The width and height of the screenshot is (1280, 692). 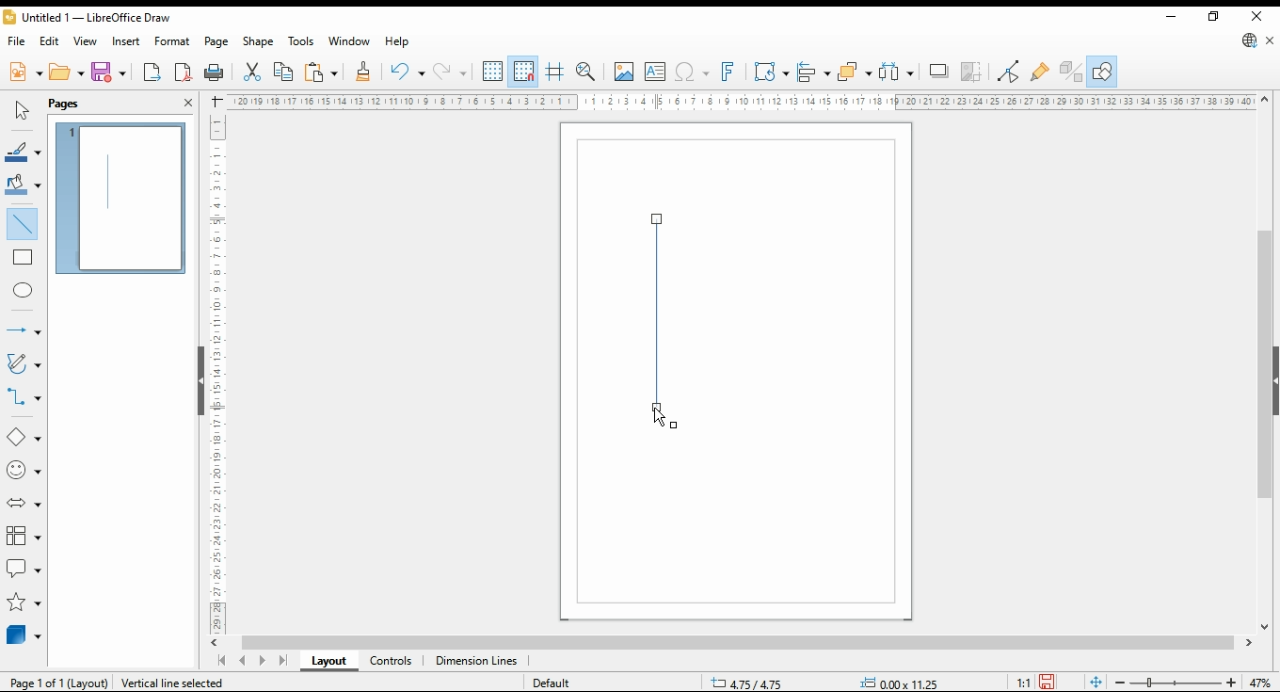 I want to click on Vertical line selected, so click(x=188, y=681).